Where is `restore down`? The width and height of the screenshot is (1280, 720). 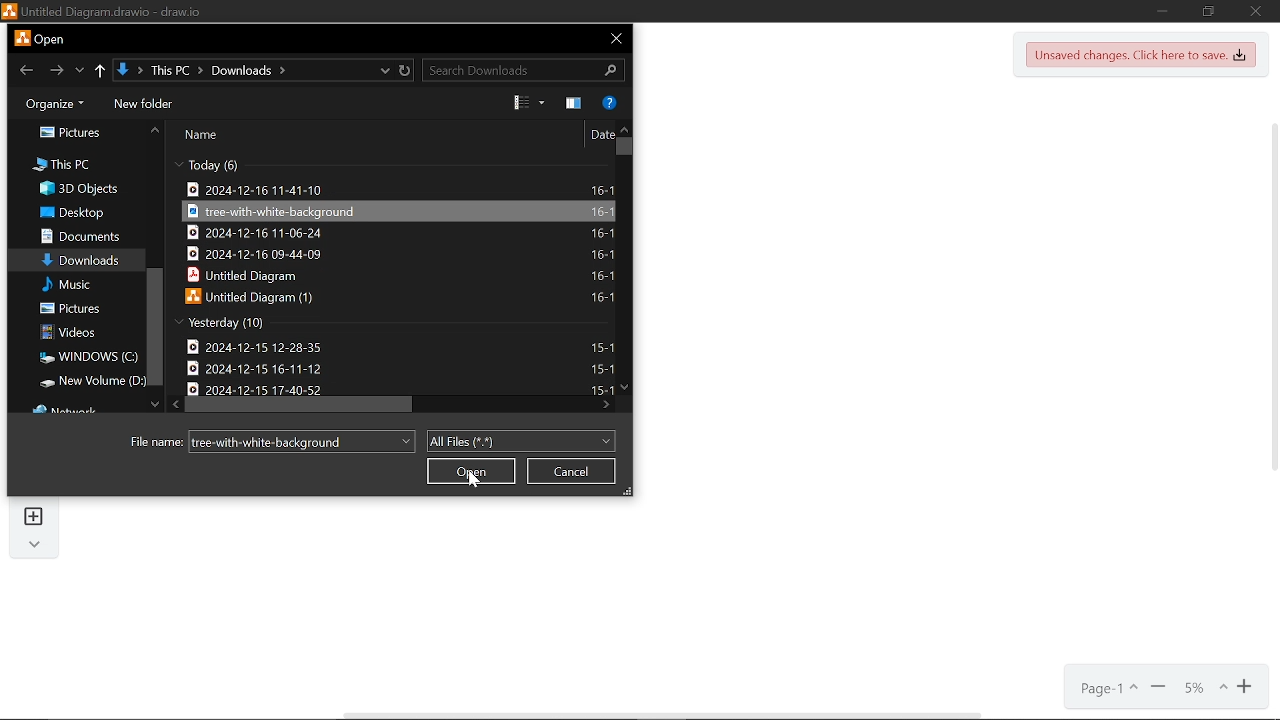
restore down is located at coordinates (1209, 12).